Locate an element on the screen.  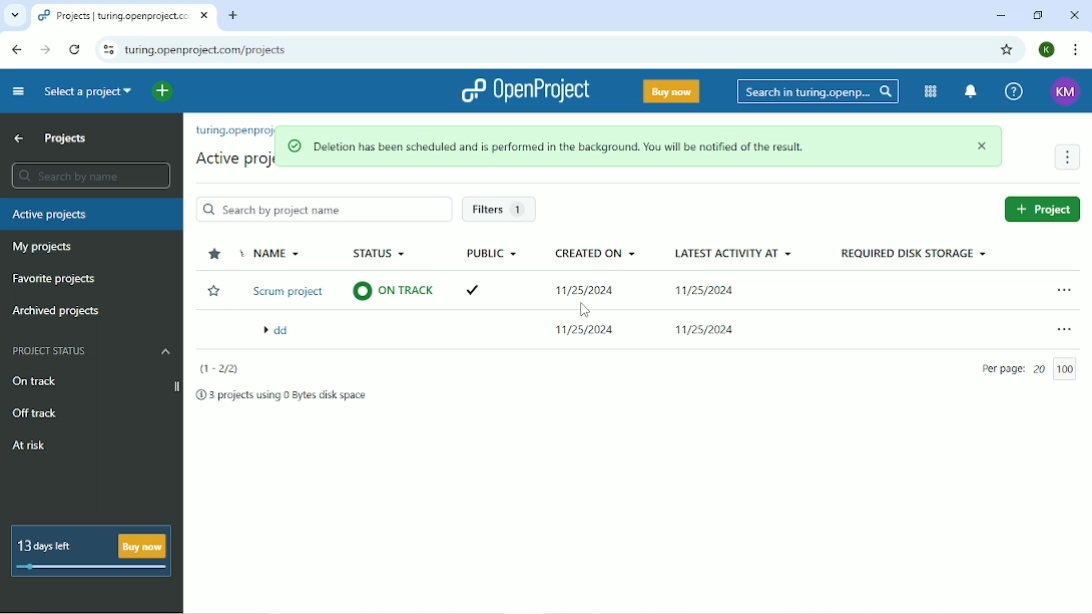
11/25/2024 is located at coordinates (708, 289).